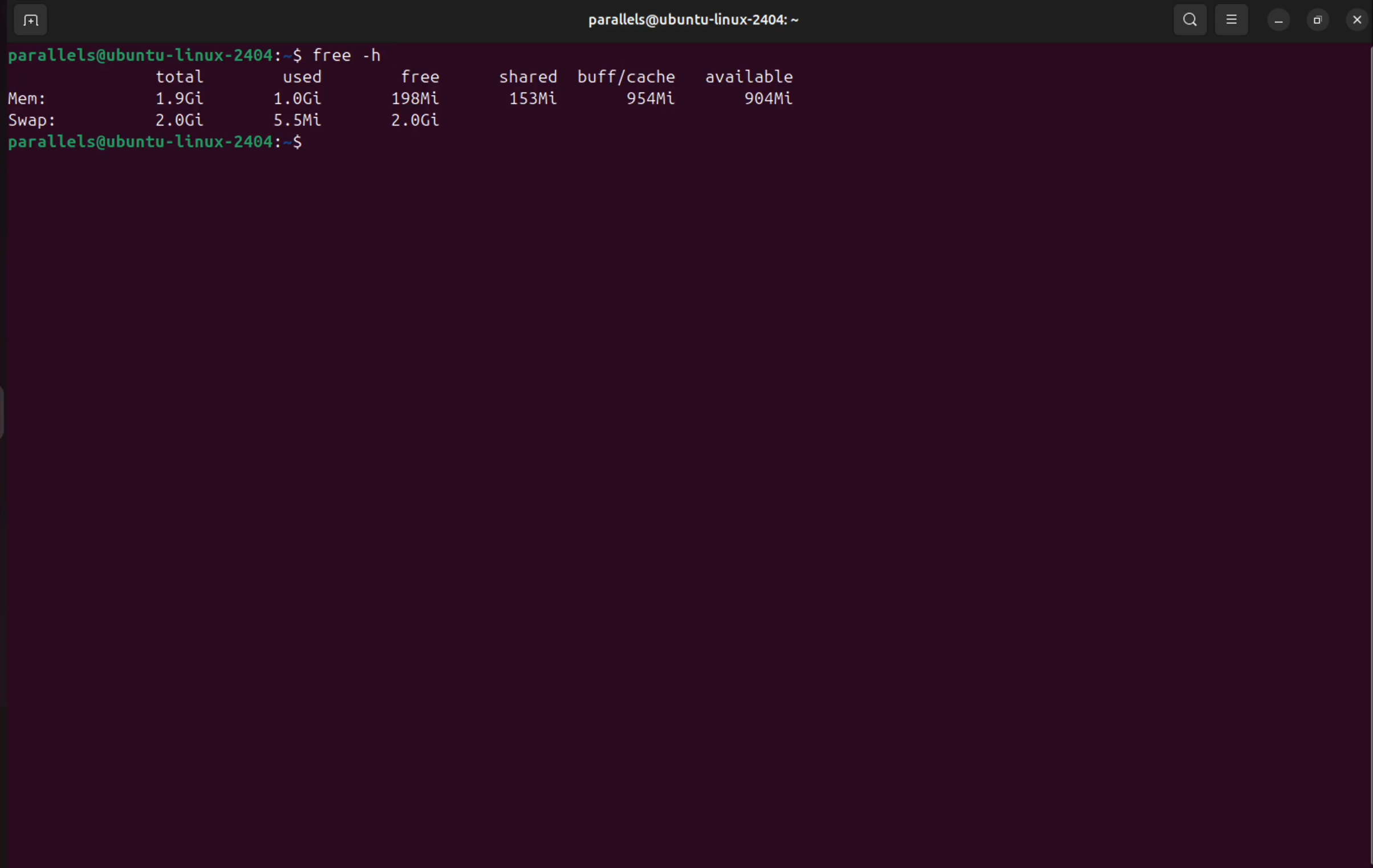 Image resolution: width=1373 pixels, height=868 pixels. I want to click on Mem:, so click(31, 97).